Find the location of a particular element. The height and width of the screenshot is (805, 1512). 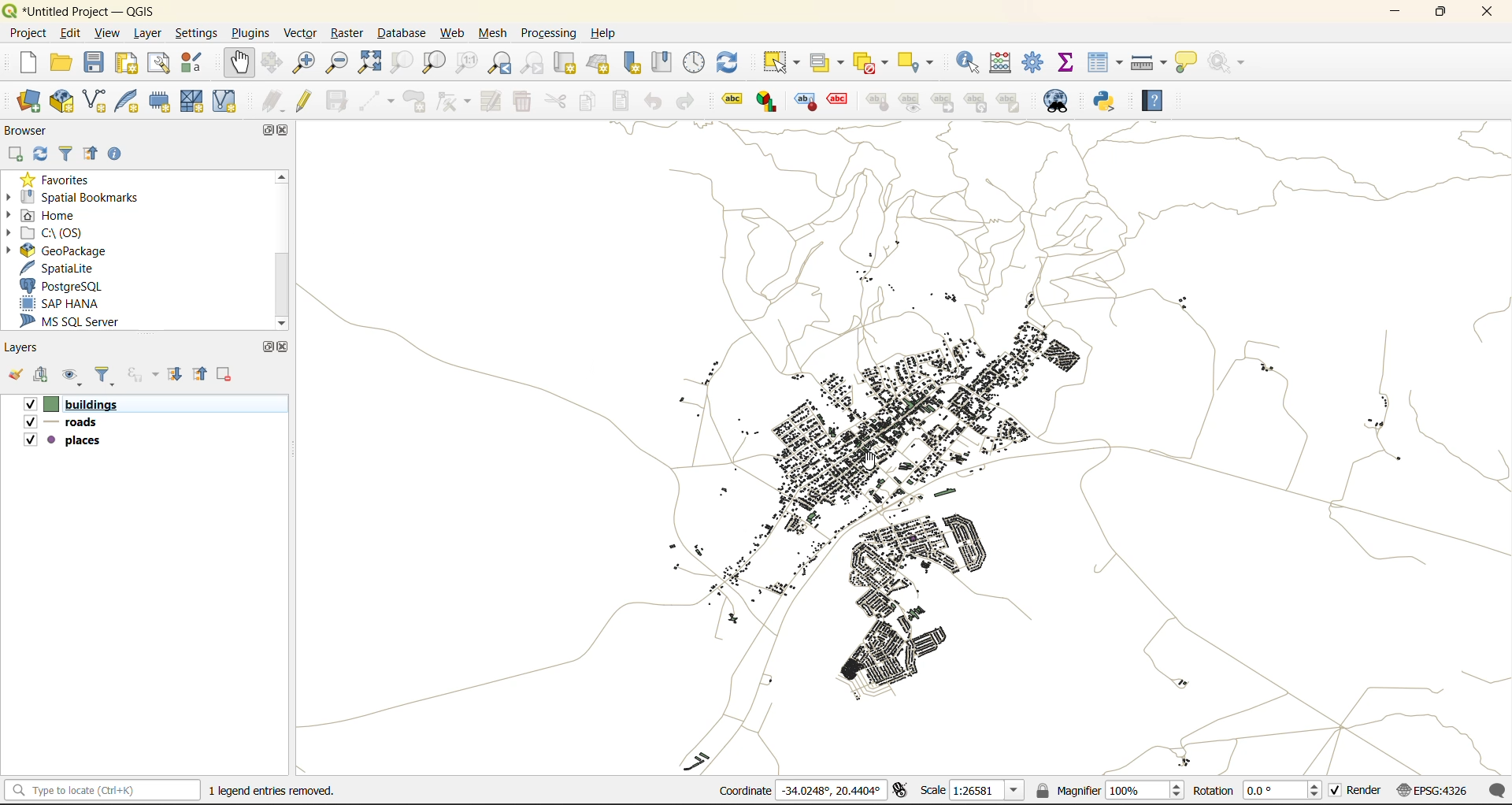

redo is located at coordinates (686, 98).